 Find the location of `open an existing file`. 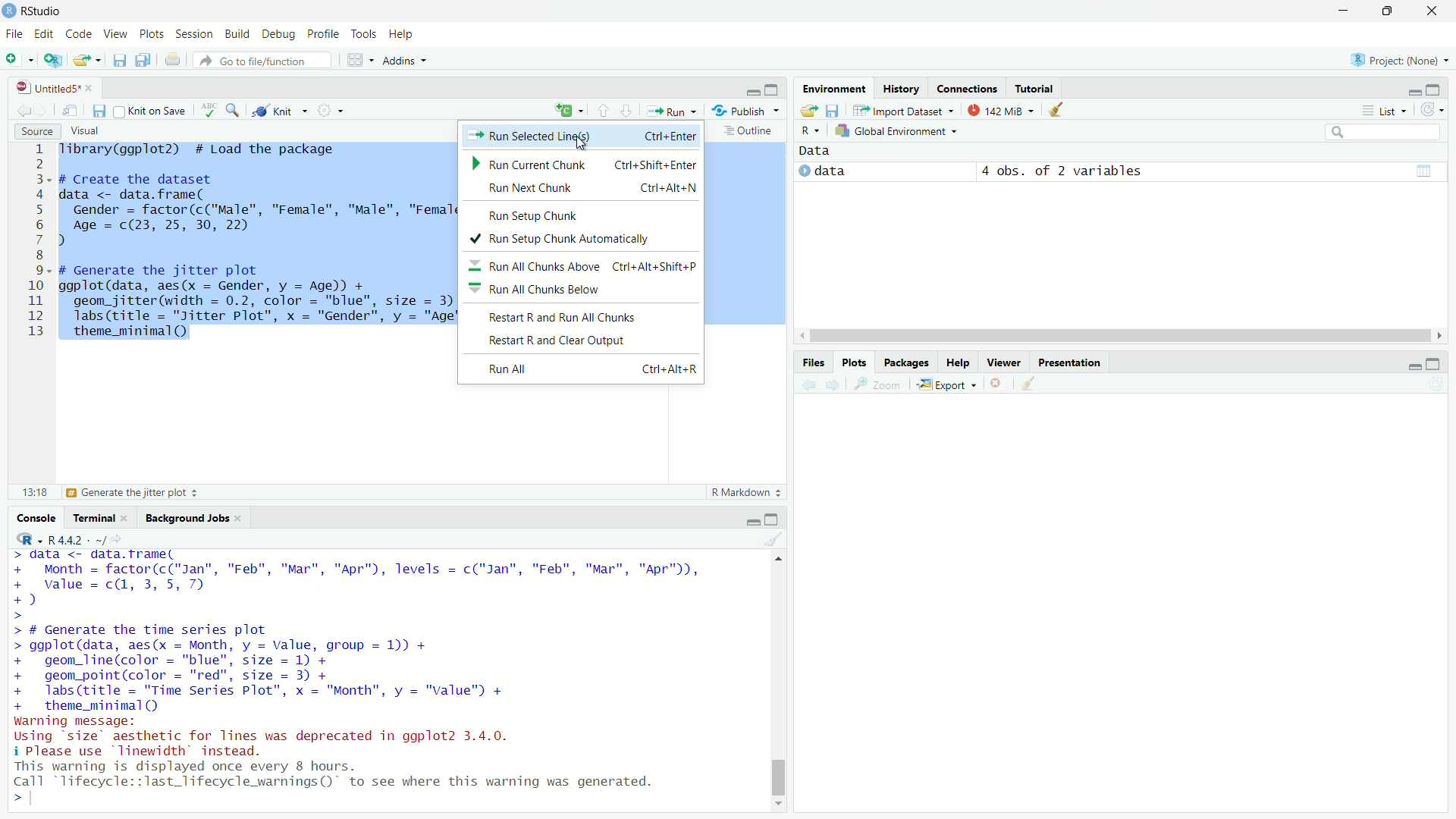

open an existing file is located at coordinates (88, 58).